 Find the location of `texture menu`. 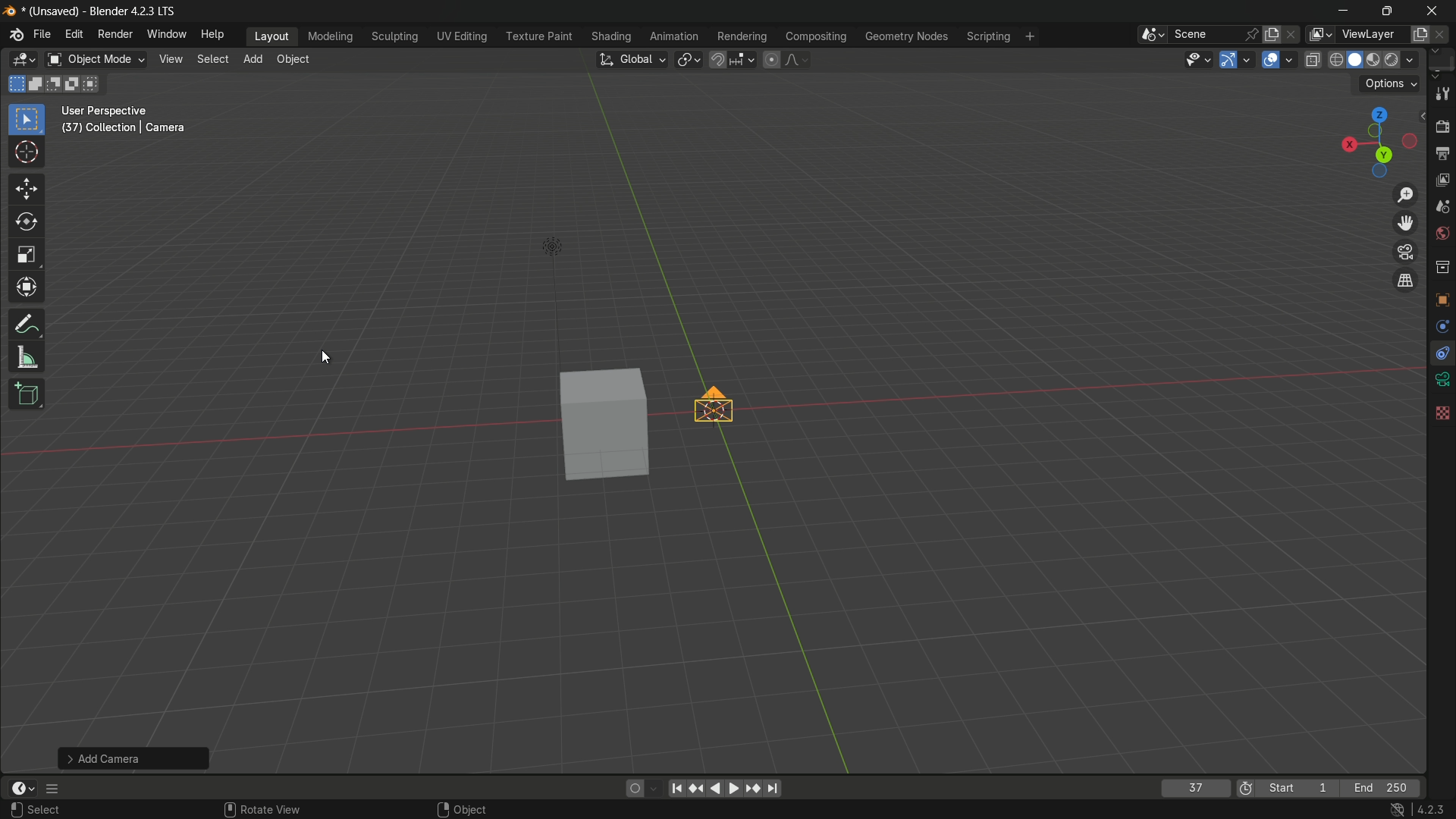

texture menu is located at coordinates (536, 37).